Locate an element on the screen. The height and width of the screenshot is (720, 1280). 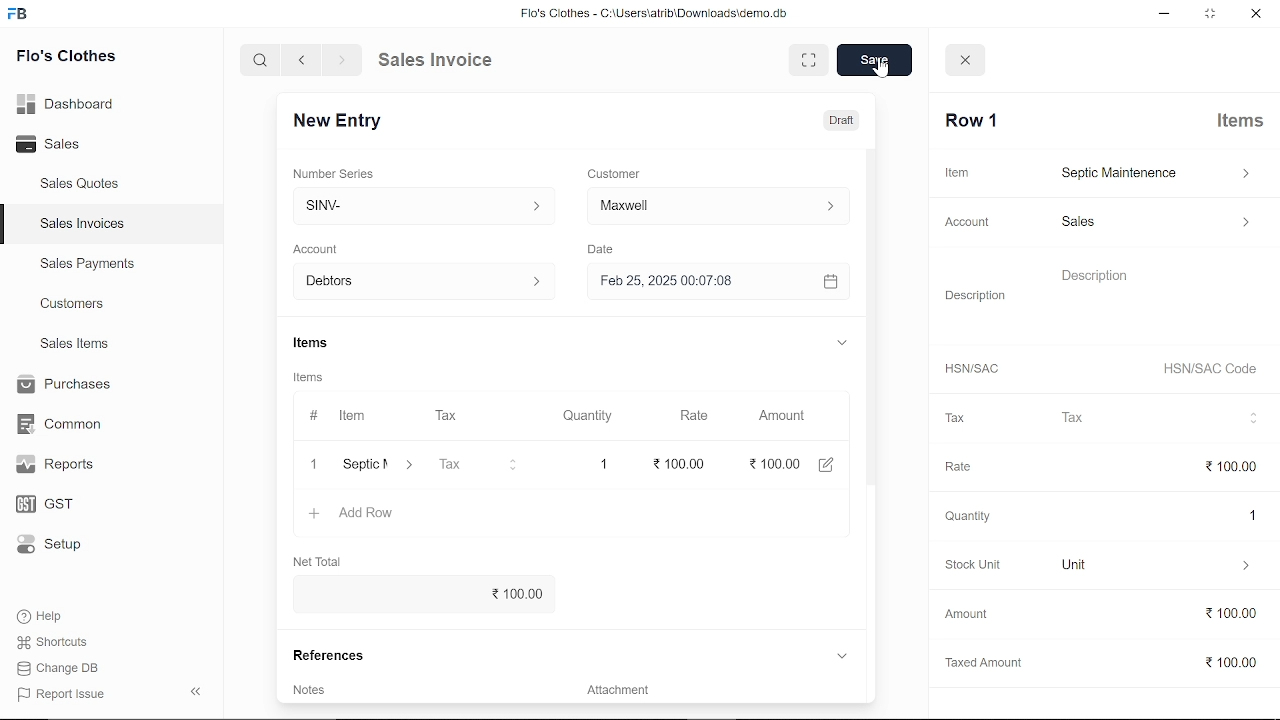
Draft is located at coordinates (843, 118).